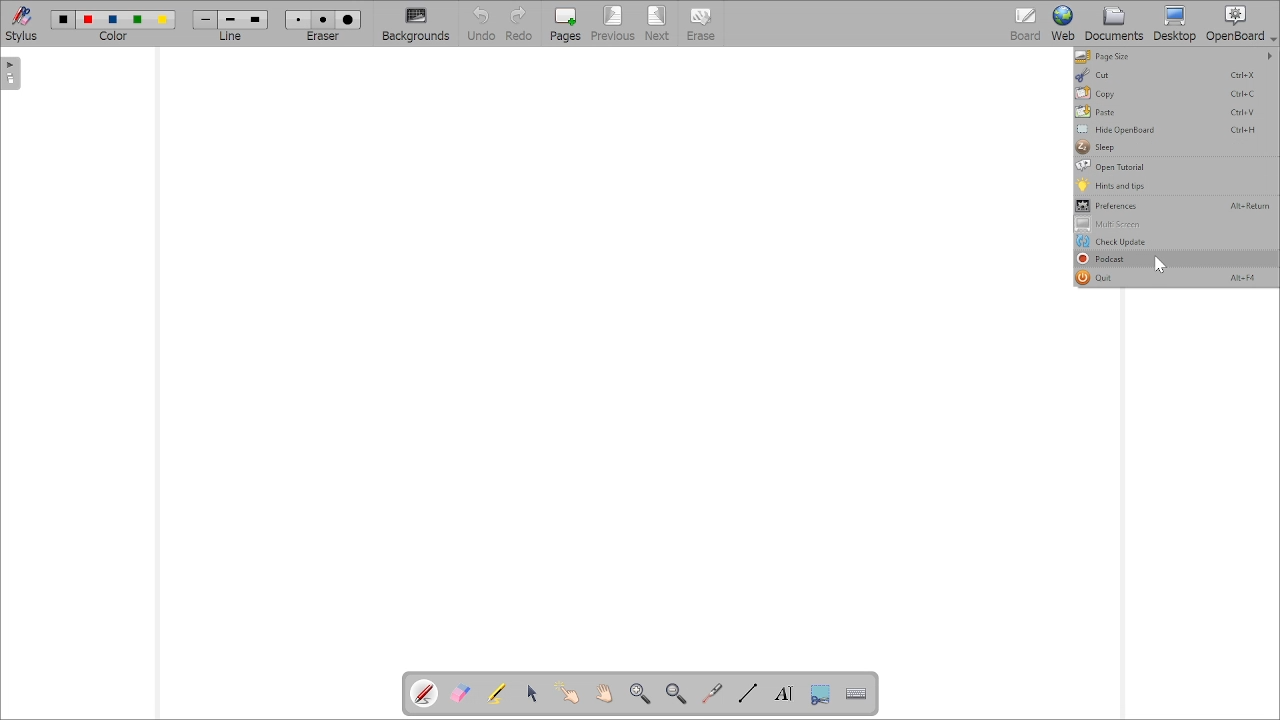 This screenshot has width=1280, height=720. I want to click on line, so click(230, 37).